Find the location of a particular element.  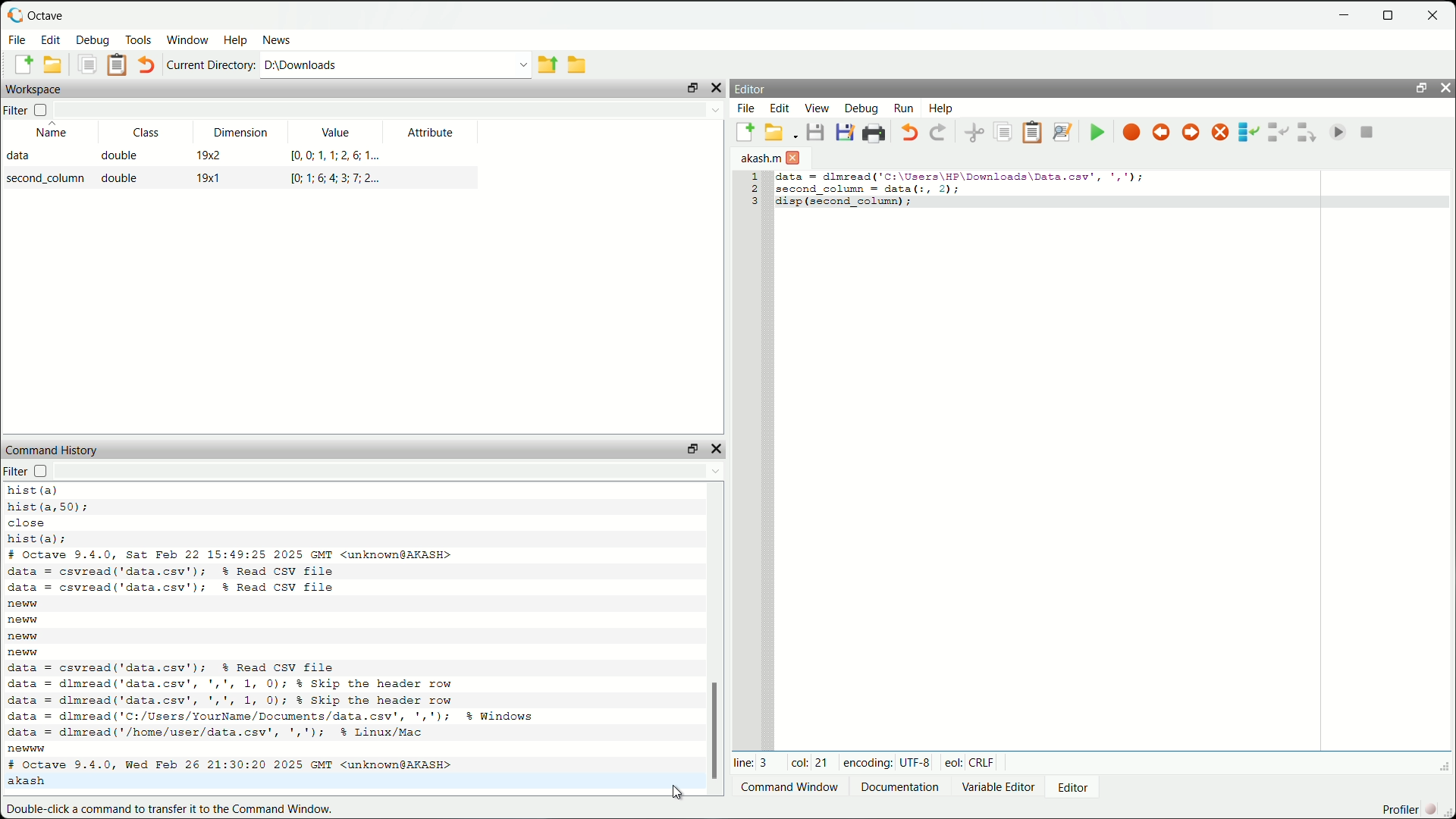

remove all breakpoints is located at coordinates (1219, 135).